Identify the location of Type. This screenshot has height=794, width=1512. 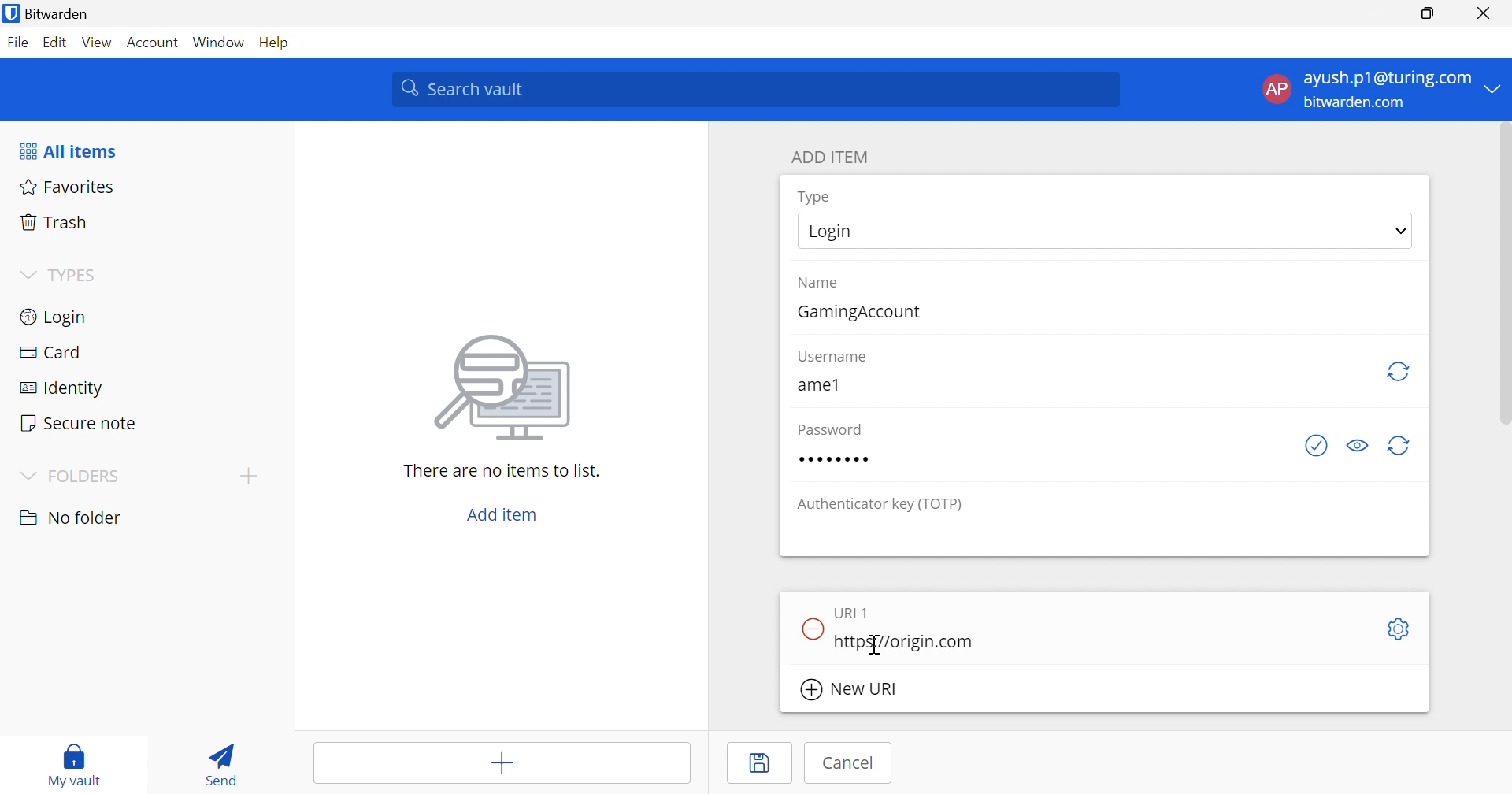
(819, 196).